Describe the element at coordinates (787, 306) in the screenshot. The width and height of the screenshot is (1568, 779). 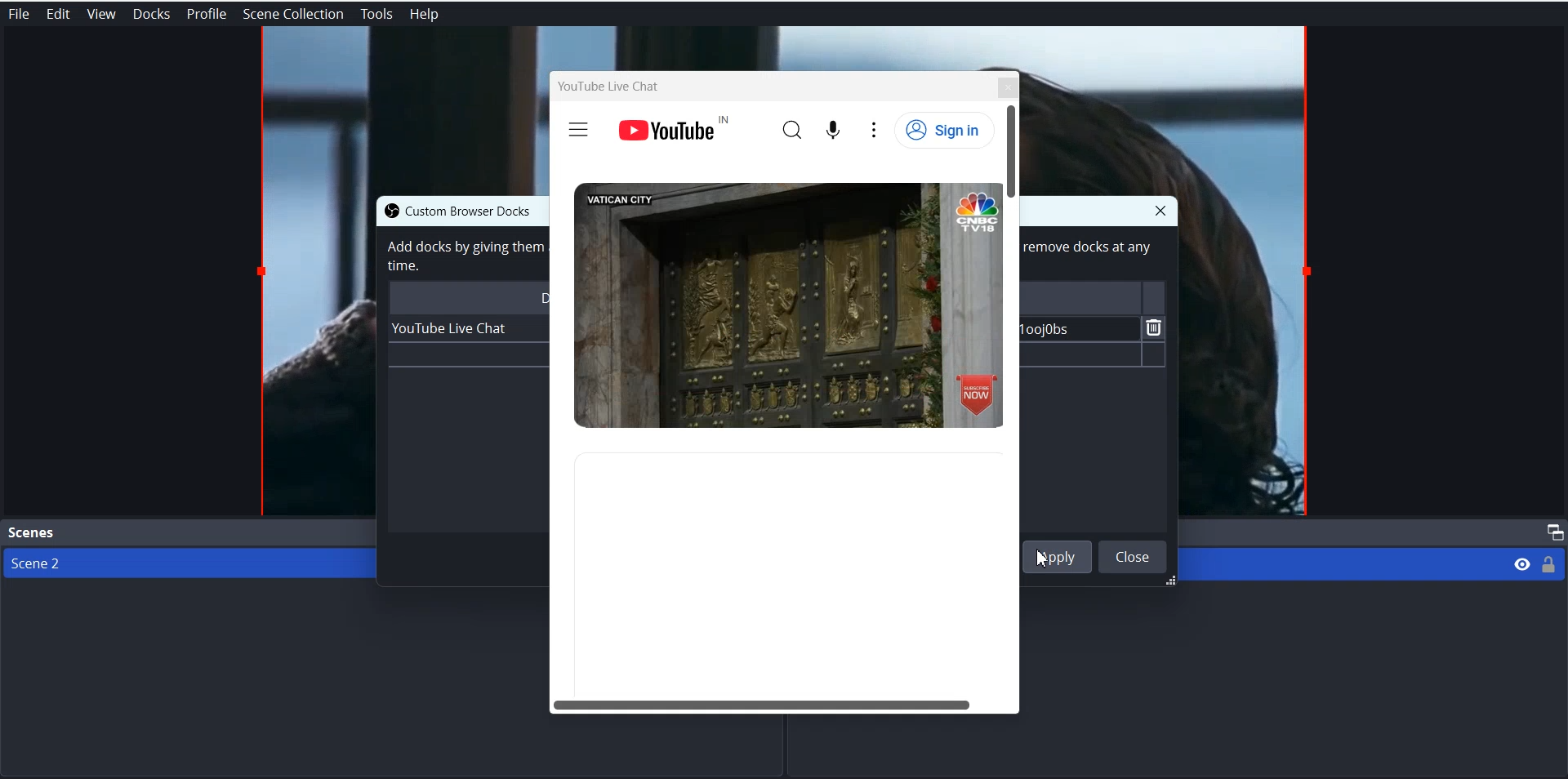
I see `File Preview window` at that location.